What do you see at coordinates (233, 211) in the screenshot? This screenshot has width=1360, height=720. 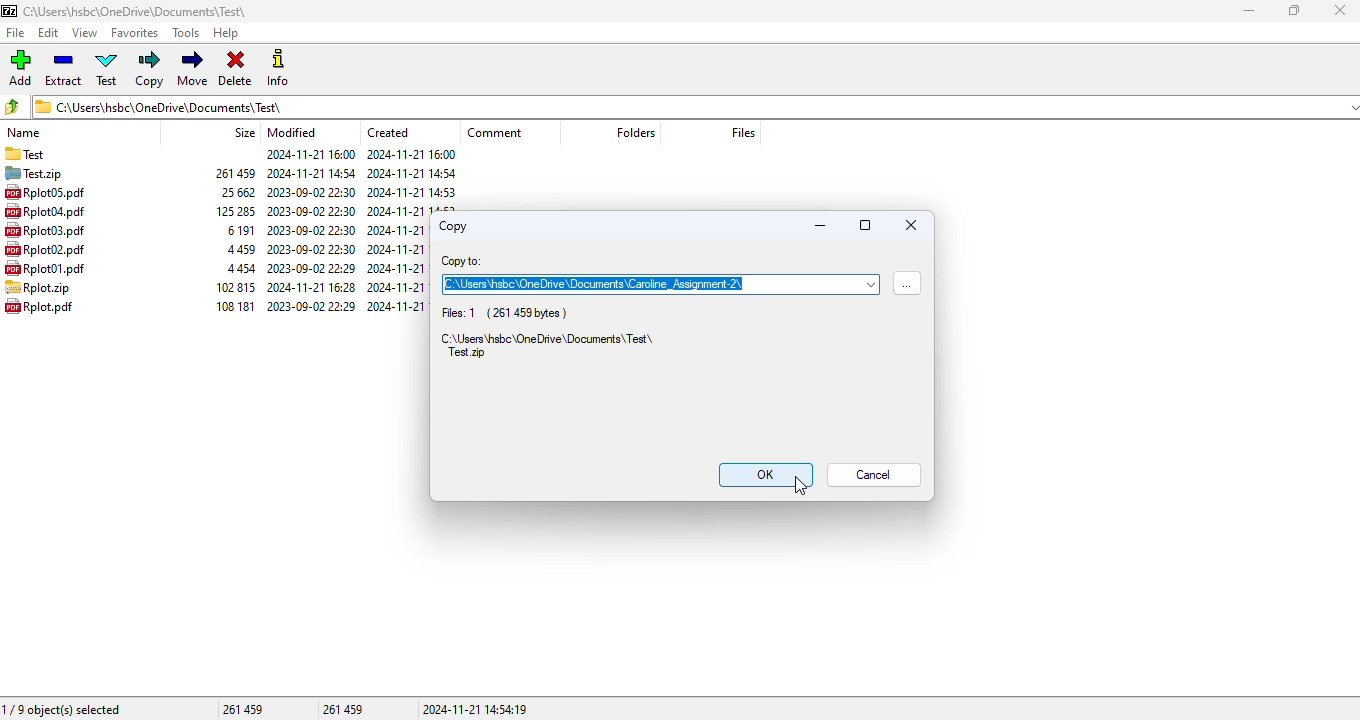 I see `size` at bounding box center [233, 211].